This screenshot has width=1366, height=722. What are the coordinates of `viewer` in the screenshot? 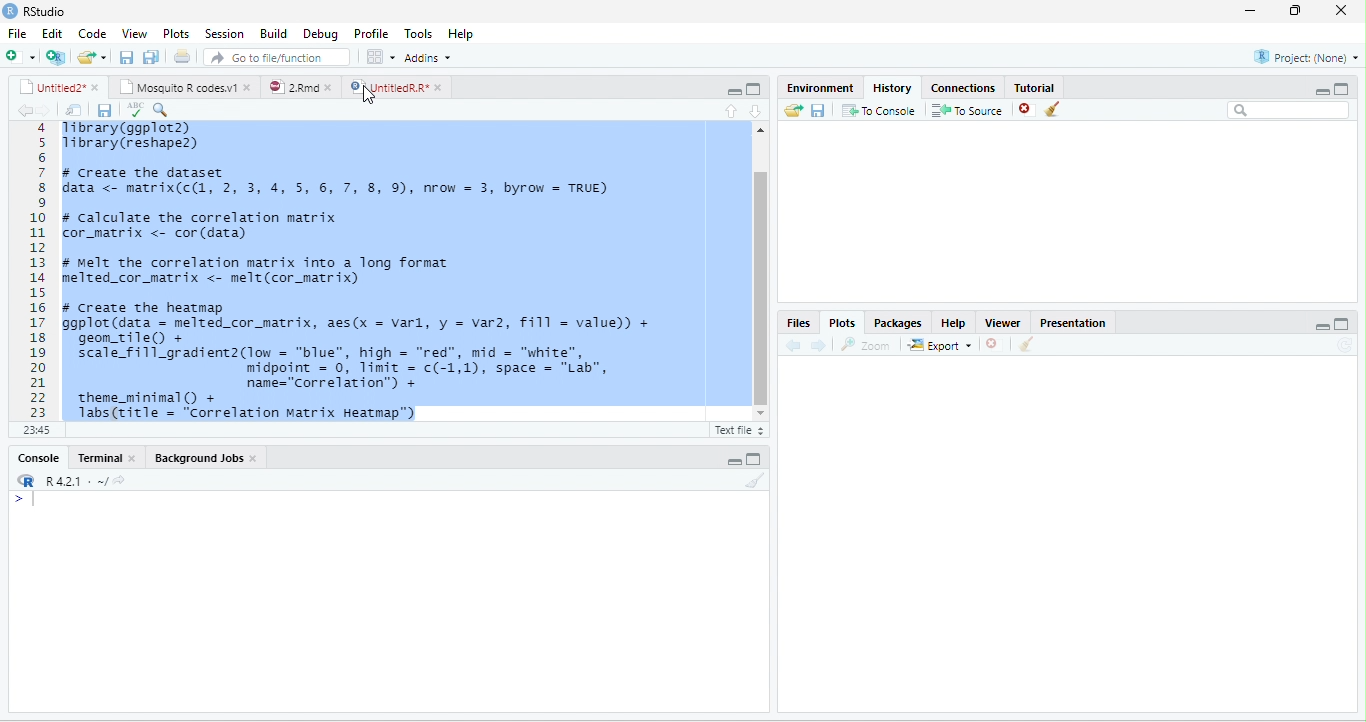 It's located at (1001, 320).